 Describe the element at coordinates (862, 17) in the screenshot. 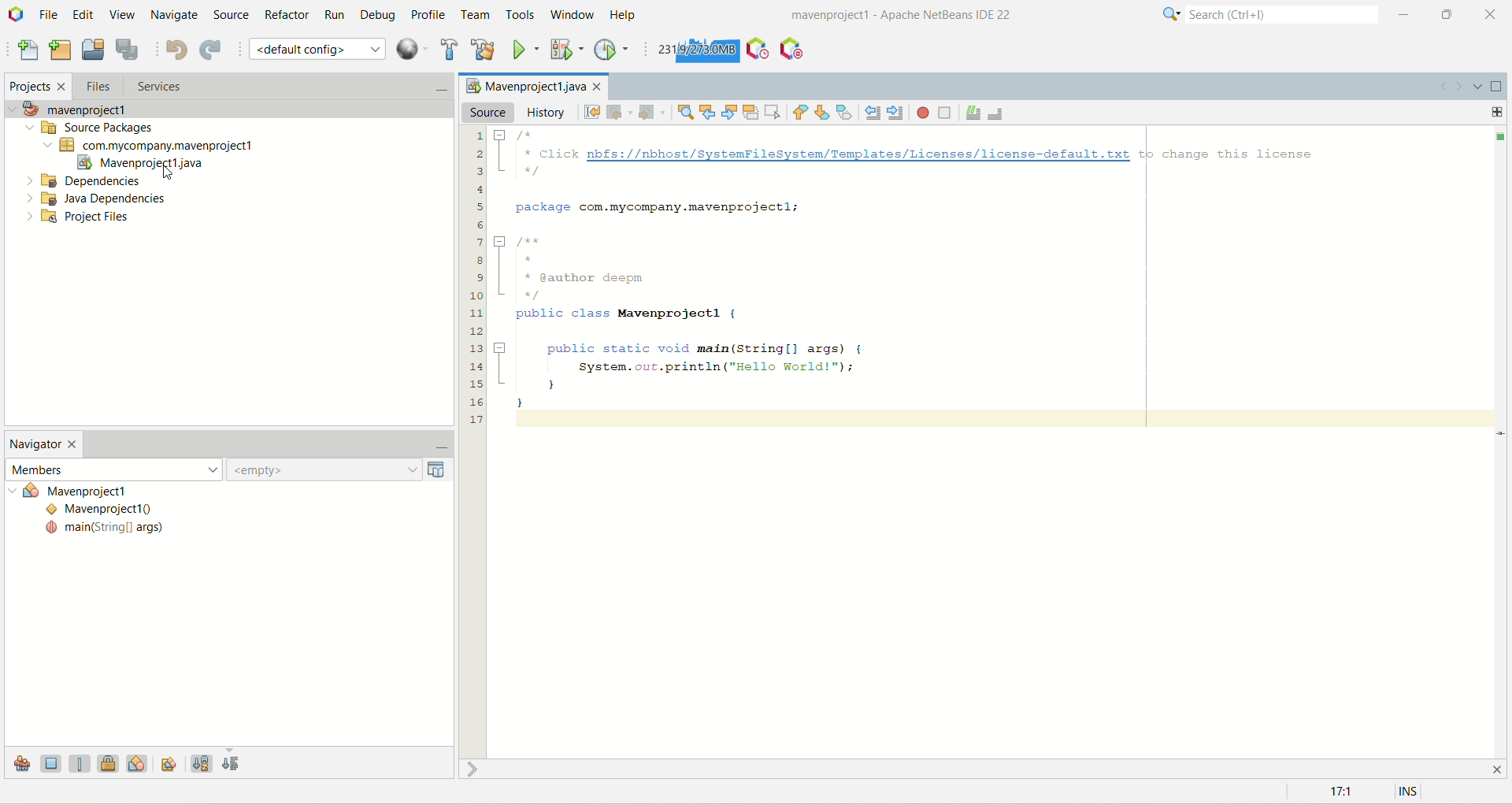

I see `mavenproject1-Apache NetBeans IDE22` at that location.